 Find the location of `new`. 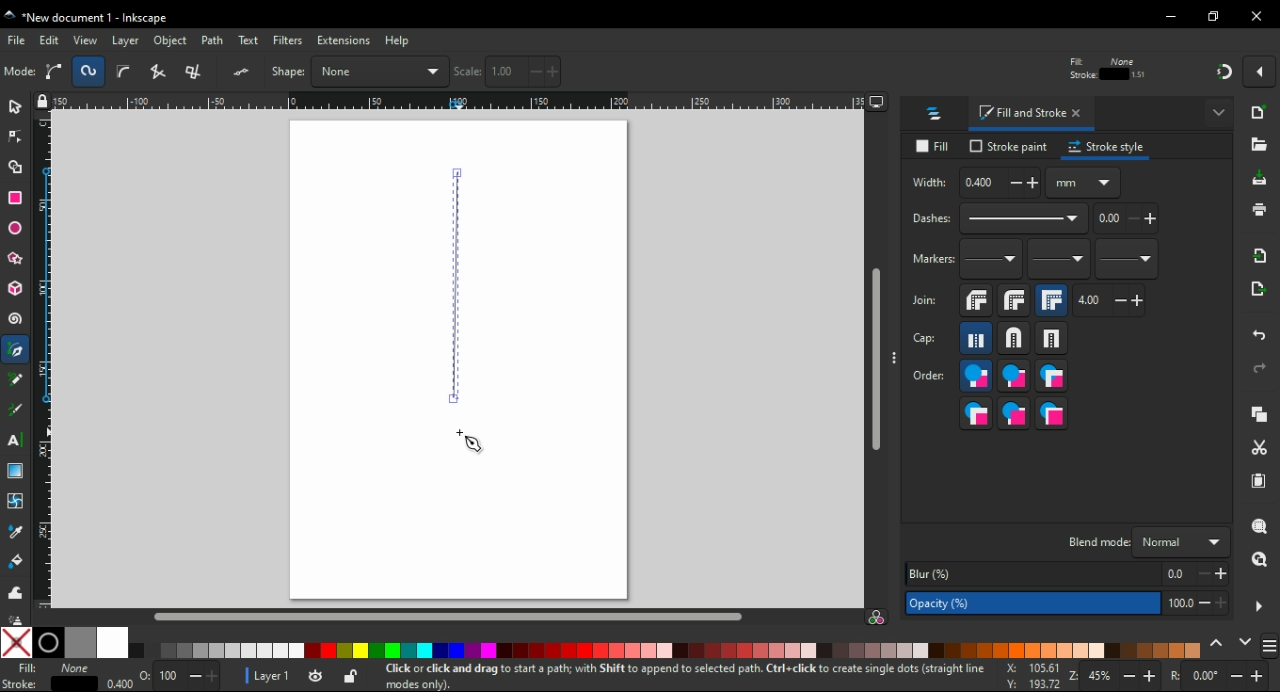

new is located at coordinates (1261, 112).